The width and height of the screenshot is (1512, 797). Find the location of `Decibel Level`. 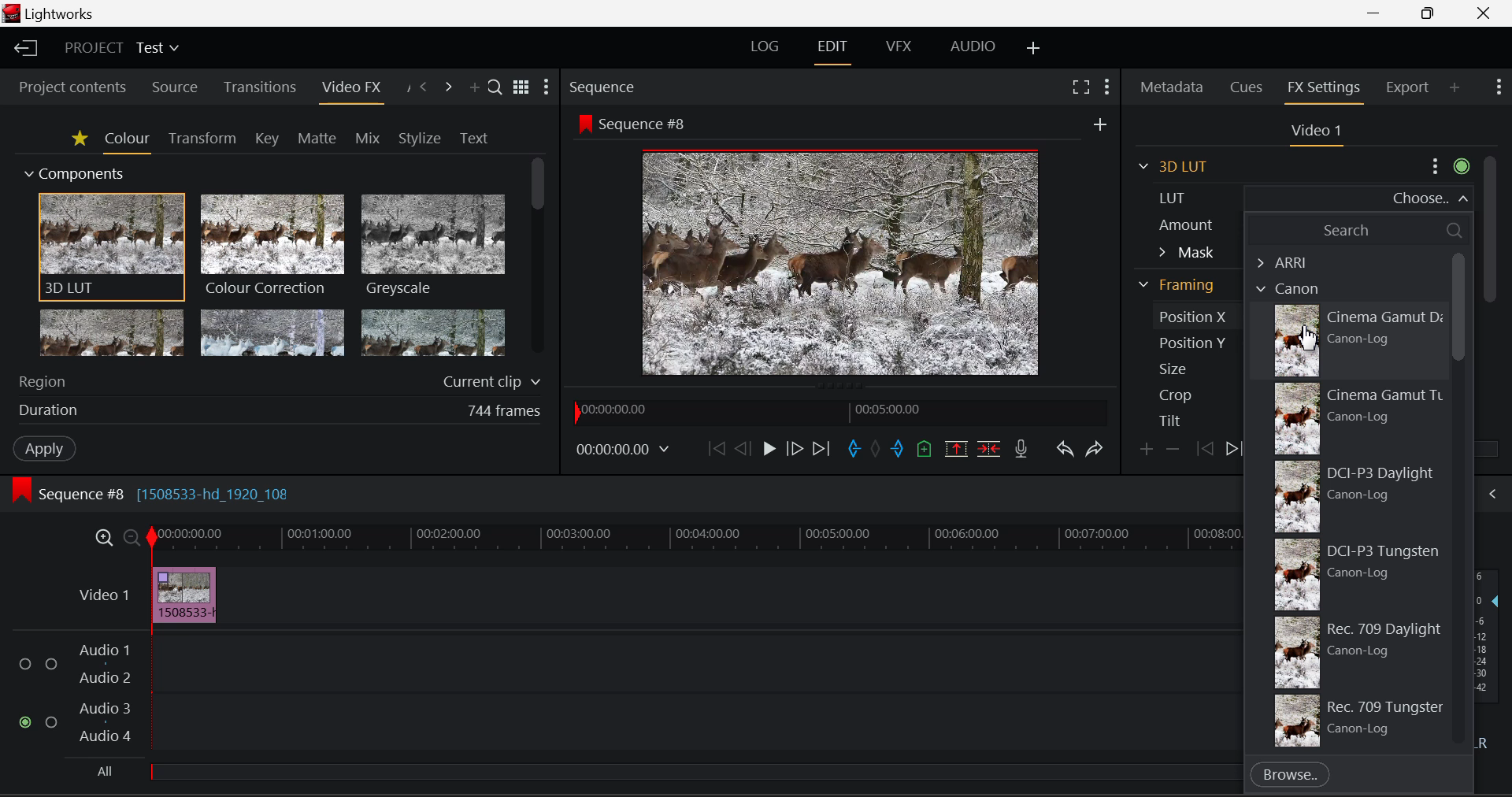

Decibel Level is located at coordinates (1493, 656).